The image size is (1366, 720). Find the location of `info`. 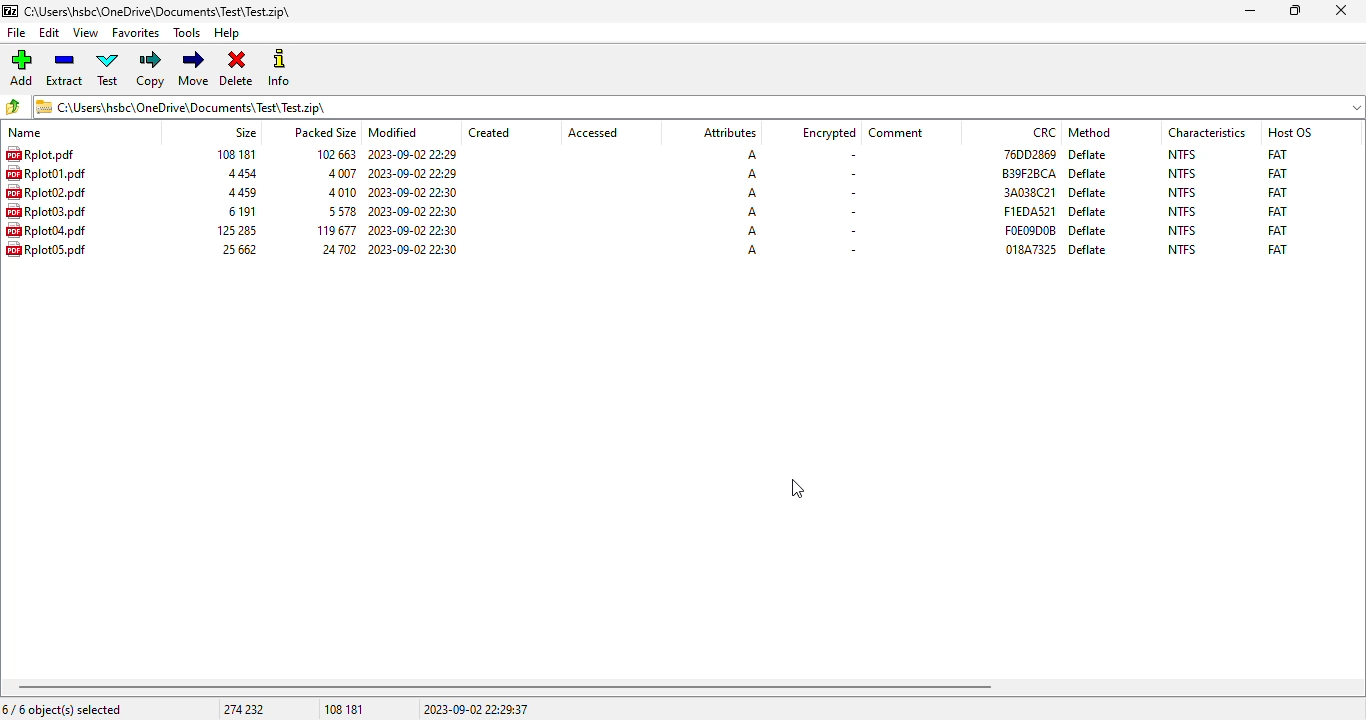

info is located at coordinates (279, 67).